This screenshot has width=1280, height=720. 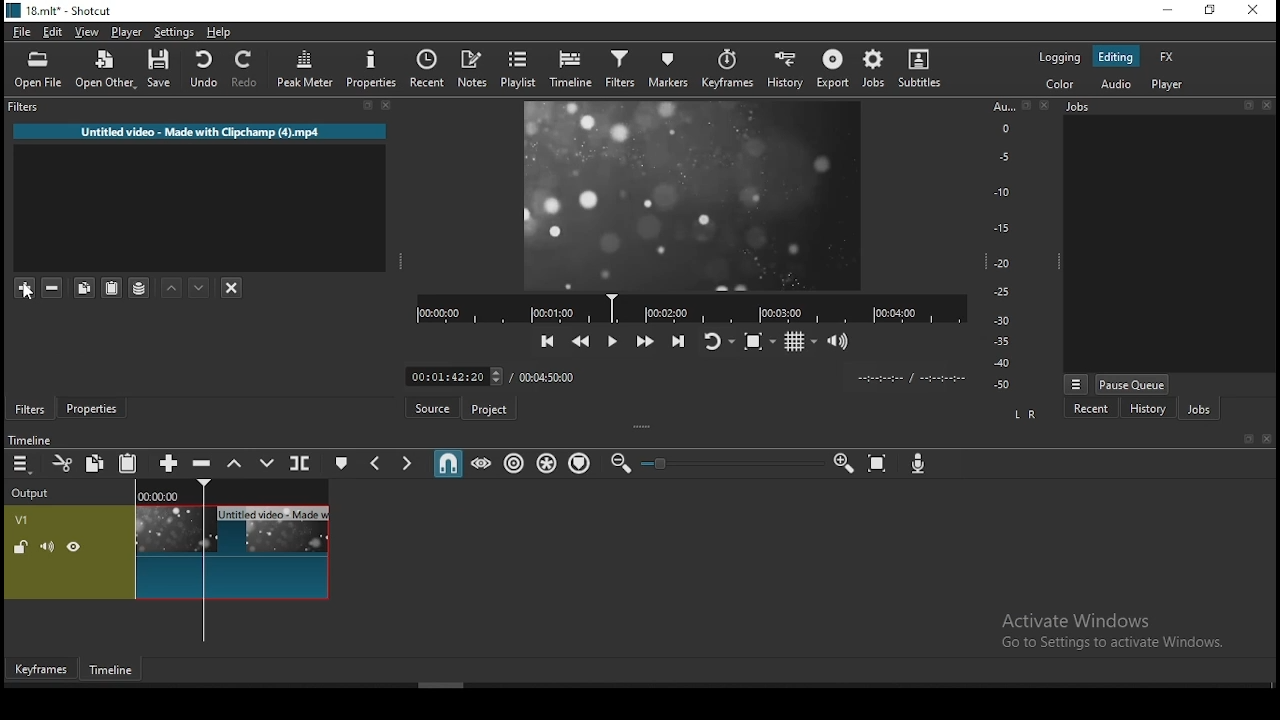 What do you see at coordinates (1168, 58) in the screenshot?
I see `fx` at bounding box center [1168, 58].